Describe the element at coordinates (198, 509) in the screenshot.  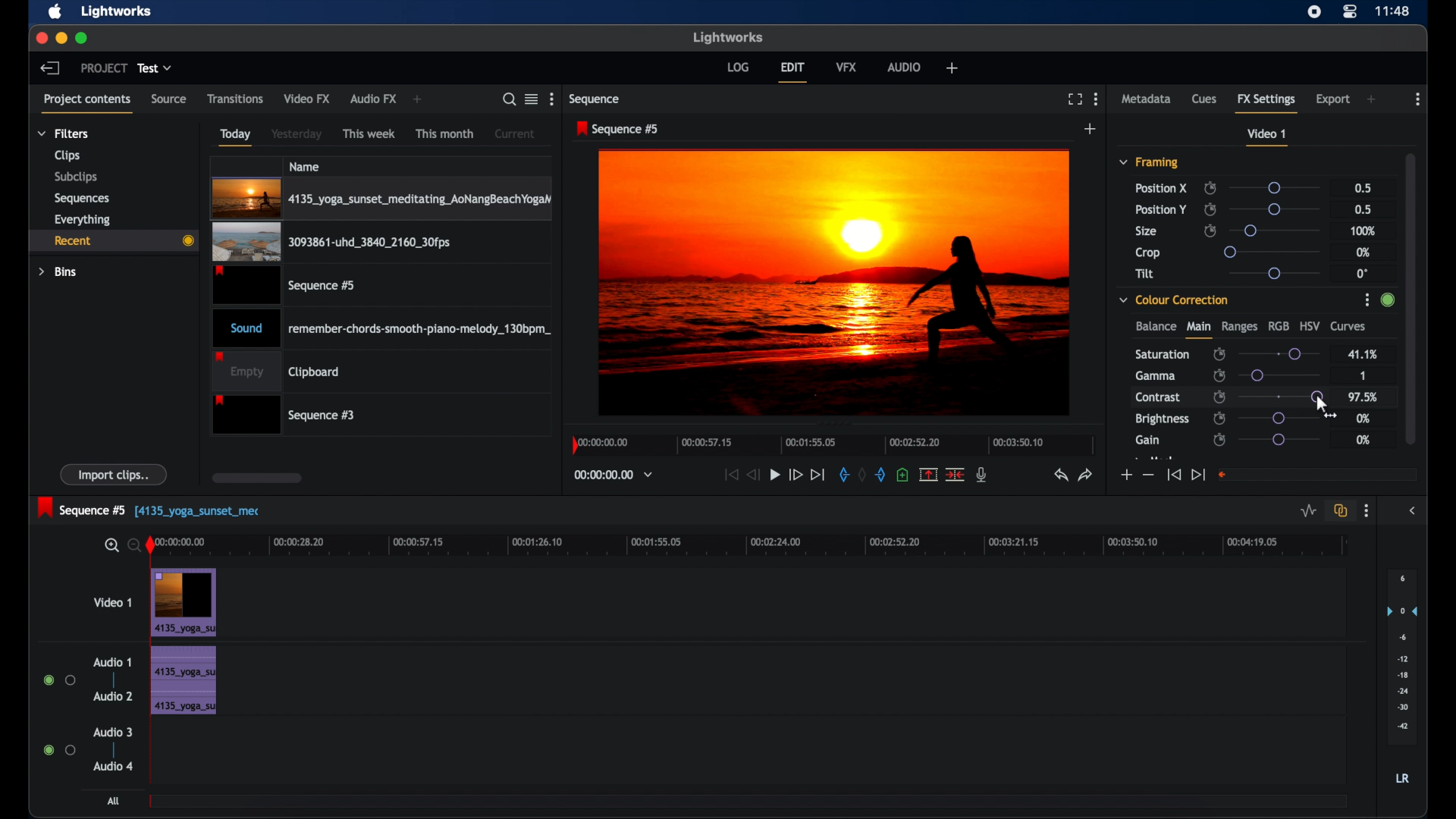
I see `text` at that location.